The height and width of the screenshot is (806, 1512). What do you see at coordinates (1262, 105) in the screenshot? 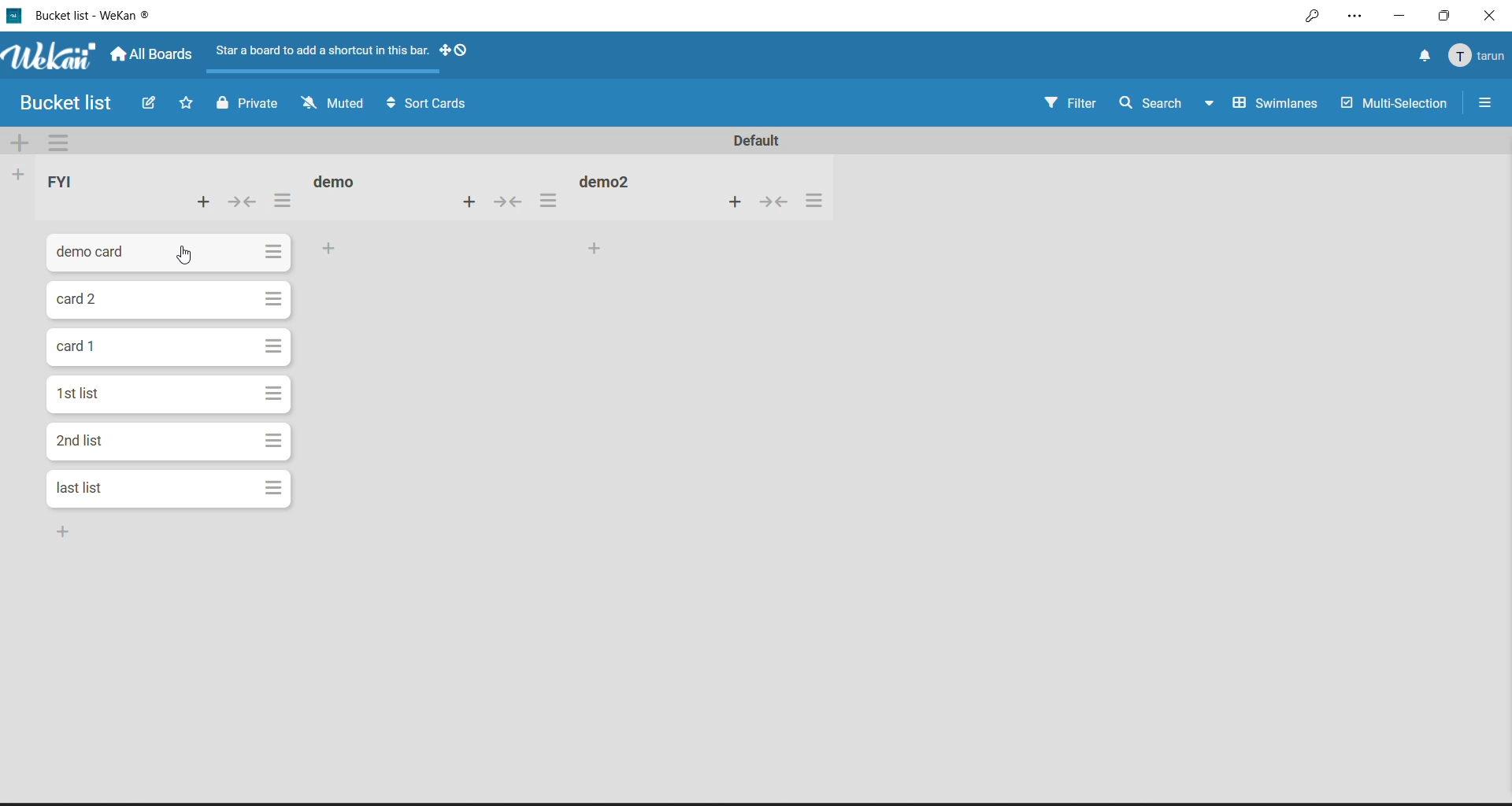
I see `board view` at bounding box center [1262, 105].